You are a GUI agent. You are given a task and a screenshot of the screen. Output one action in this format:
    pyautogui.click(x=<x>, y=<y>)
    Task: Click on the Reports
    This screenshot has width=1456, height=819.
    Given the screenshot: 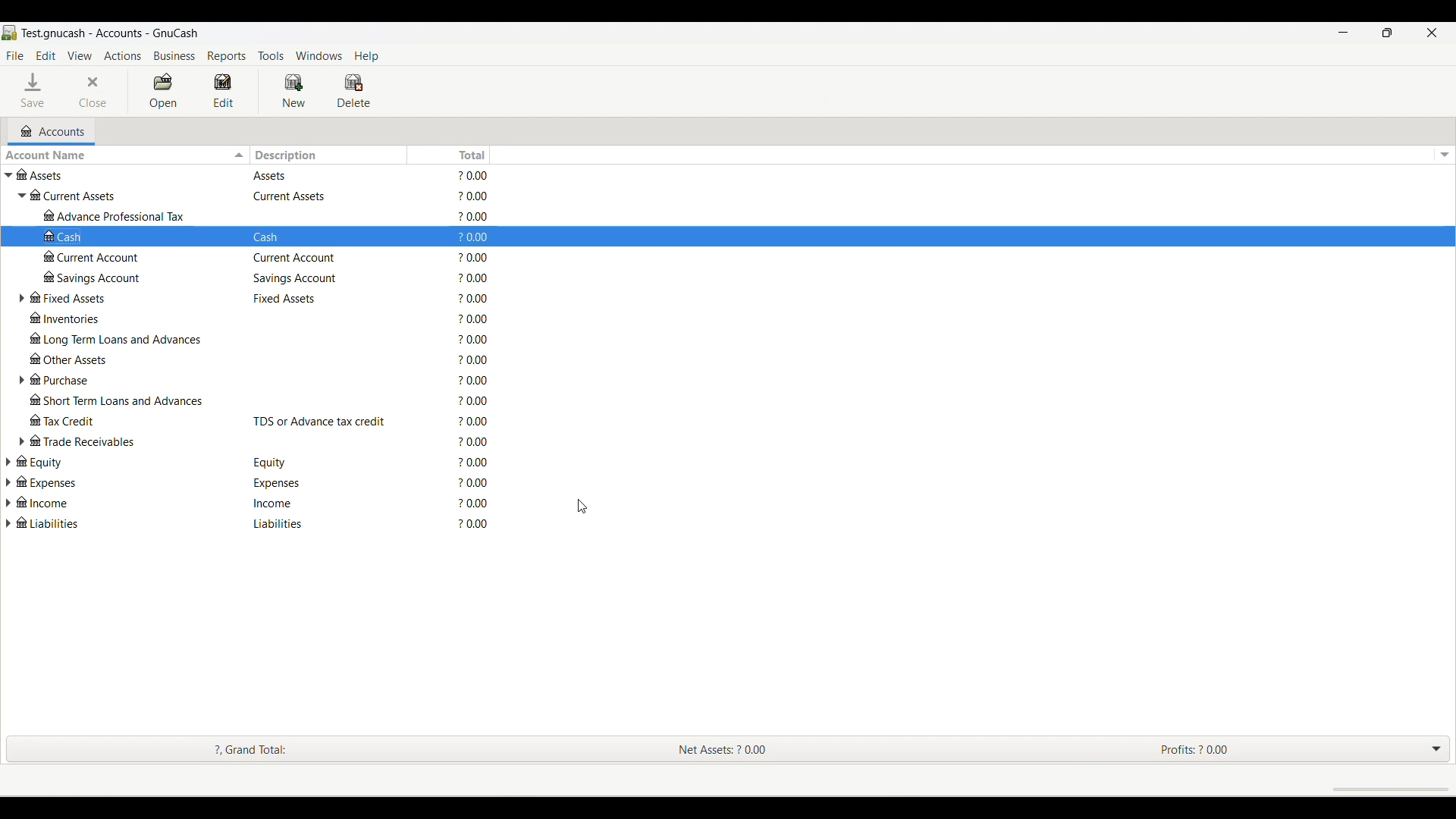 What is the action you would take?
    pyautogui.click(x=226, y=56)
    